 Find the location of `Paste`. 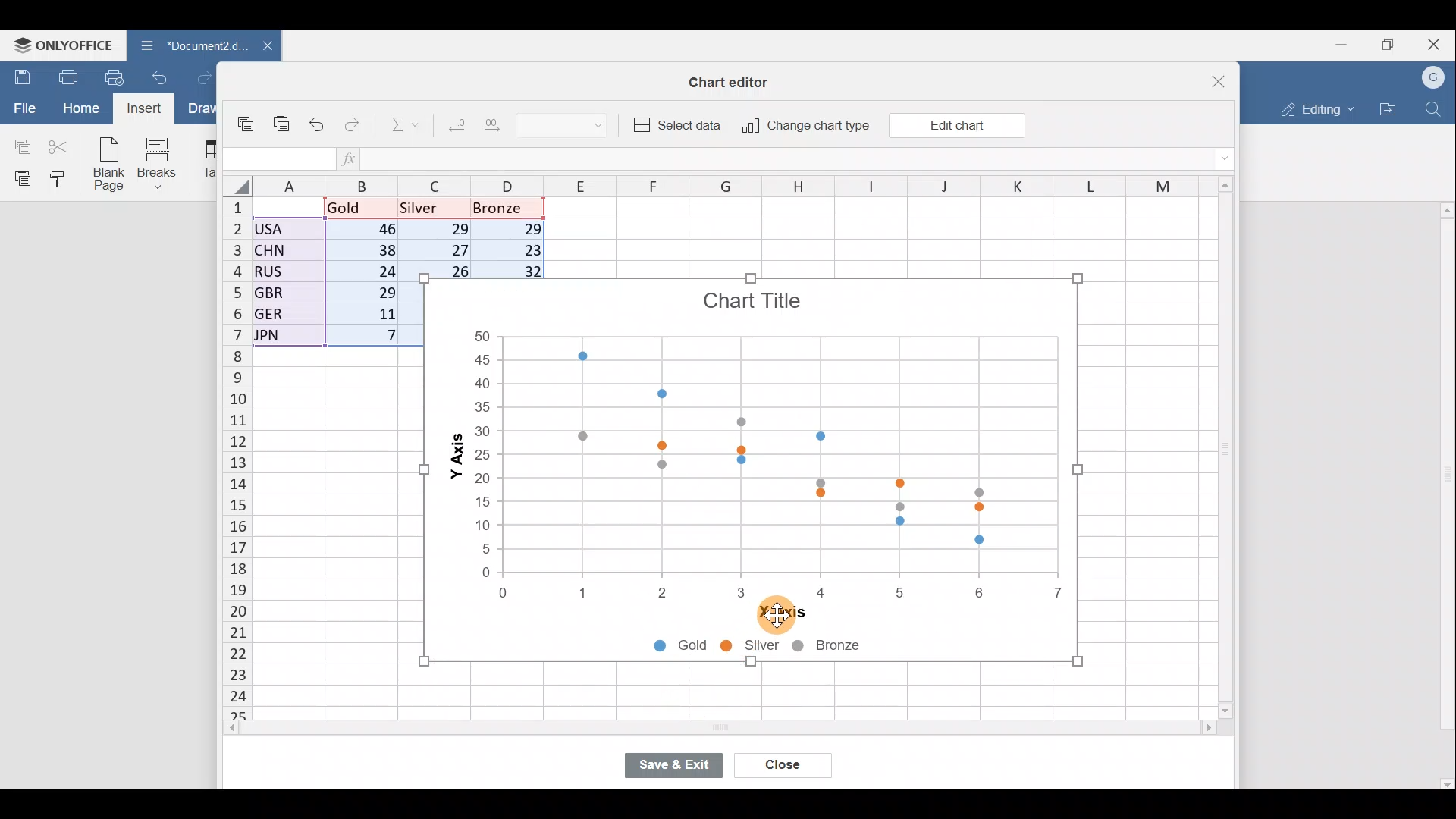

Paste is located at coordinates (19, 178).